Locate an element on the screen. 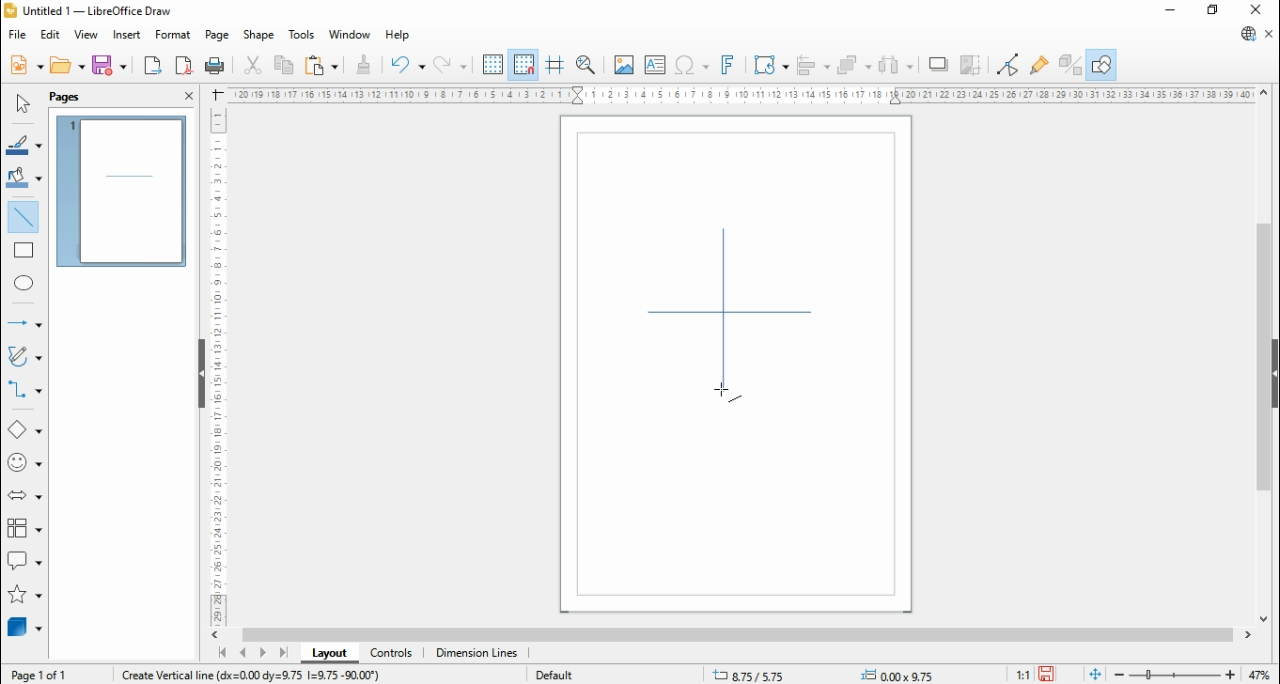 The height and width of the screenshot is (684, 1280).  is located at coordinates (255, 673).